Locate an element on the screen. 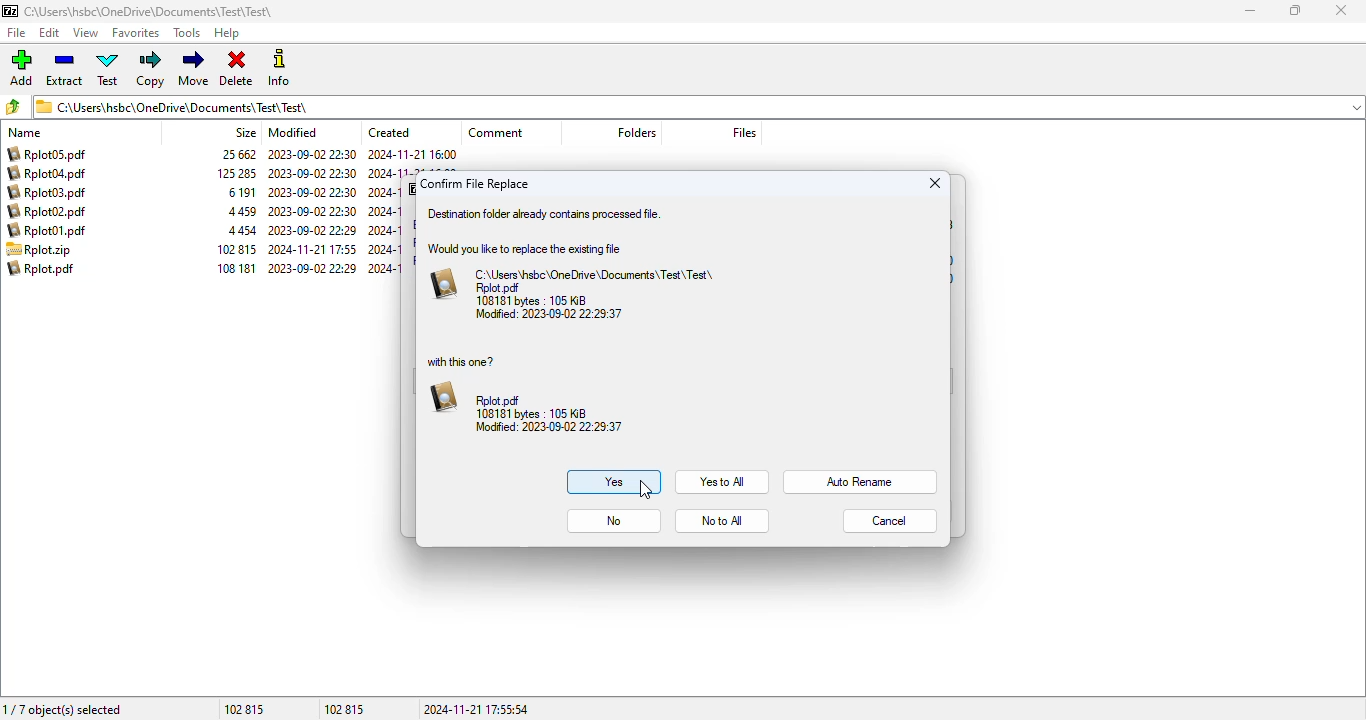 Image resolution: width=1366 pixels, height=720 pixels. No is located at coordinates (616, 520).